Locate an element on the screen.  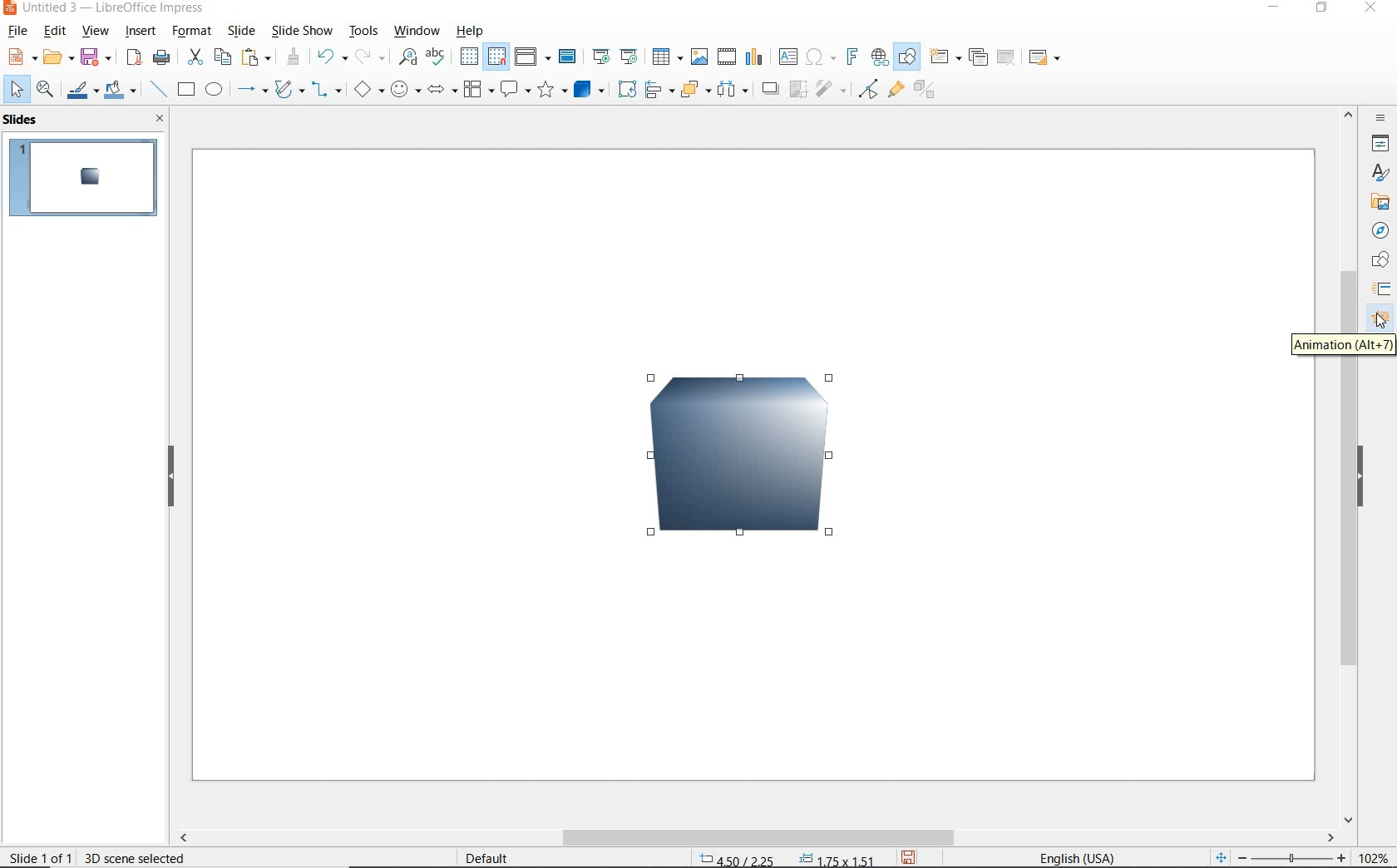
curves and polygons is located at coordinates (289, 91).